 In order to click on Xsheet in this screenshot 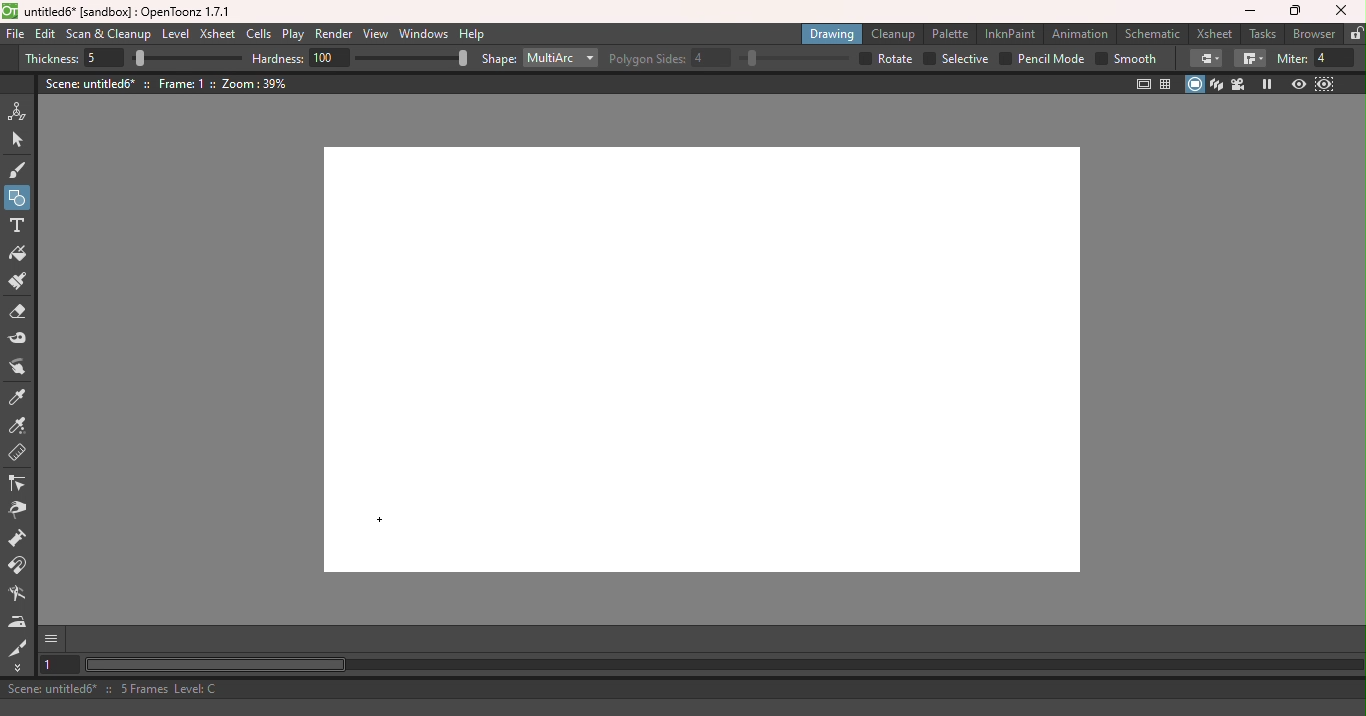, I will do `click(216, 34)`.